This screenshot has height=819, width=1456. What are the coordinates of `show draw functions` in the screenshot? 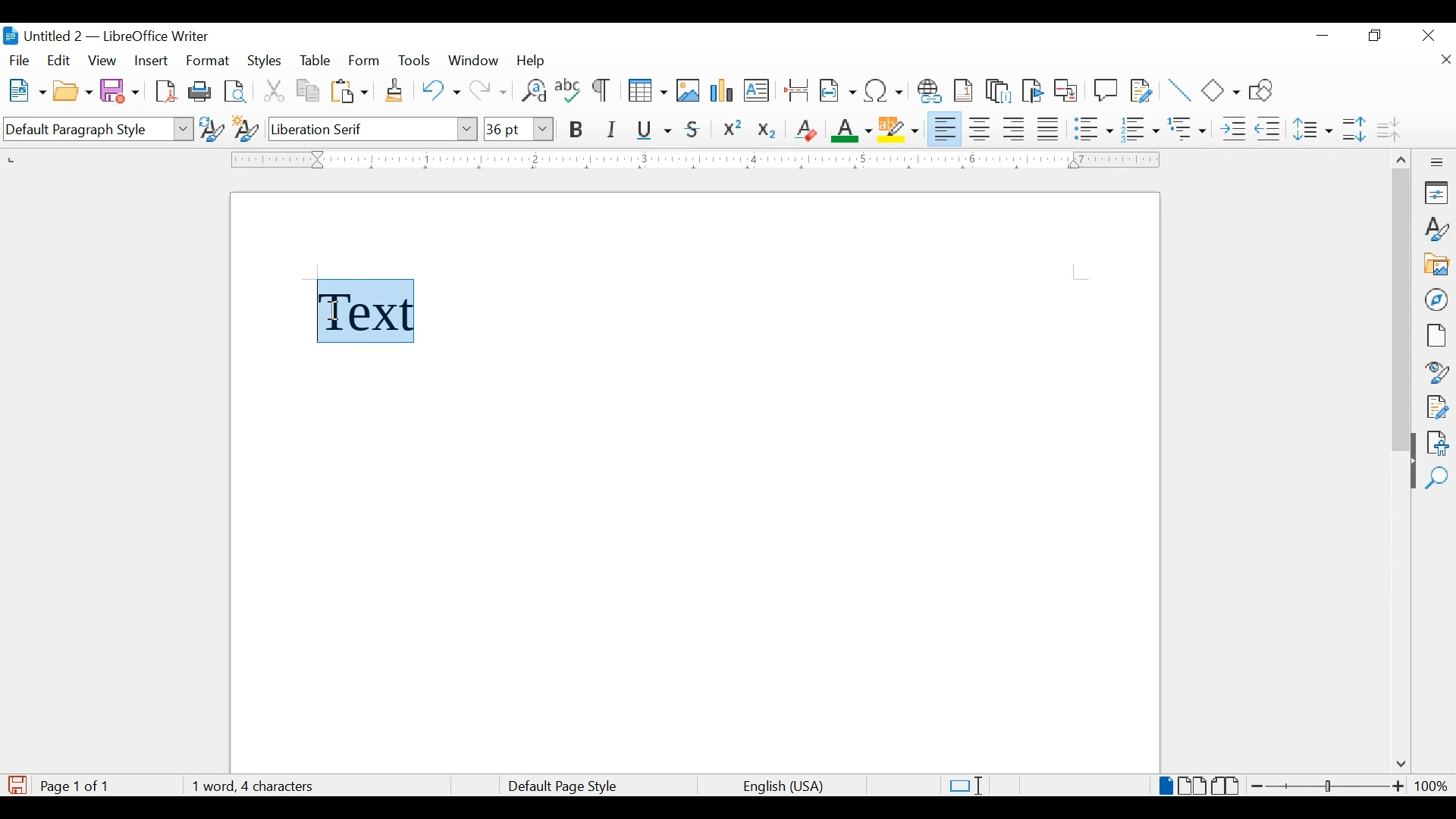 It's located at (1266, 89).